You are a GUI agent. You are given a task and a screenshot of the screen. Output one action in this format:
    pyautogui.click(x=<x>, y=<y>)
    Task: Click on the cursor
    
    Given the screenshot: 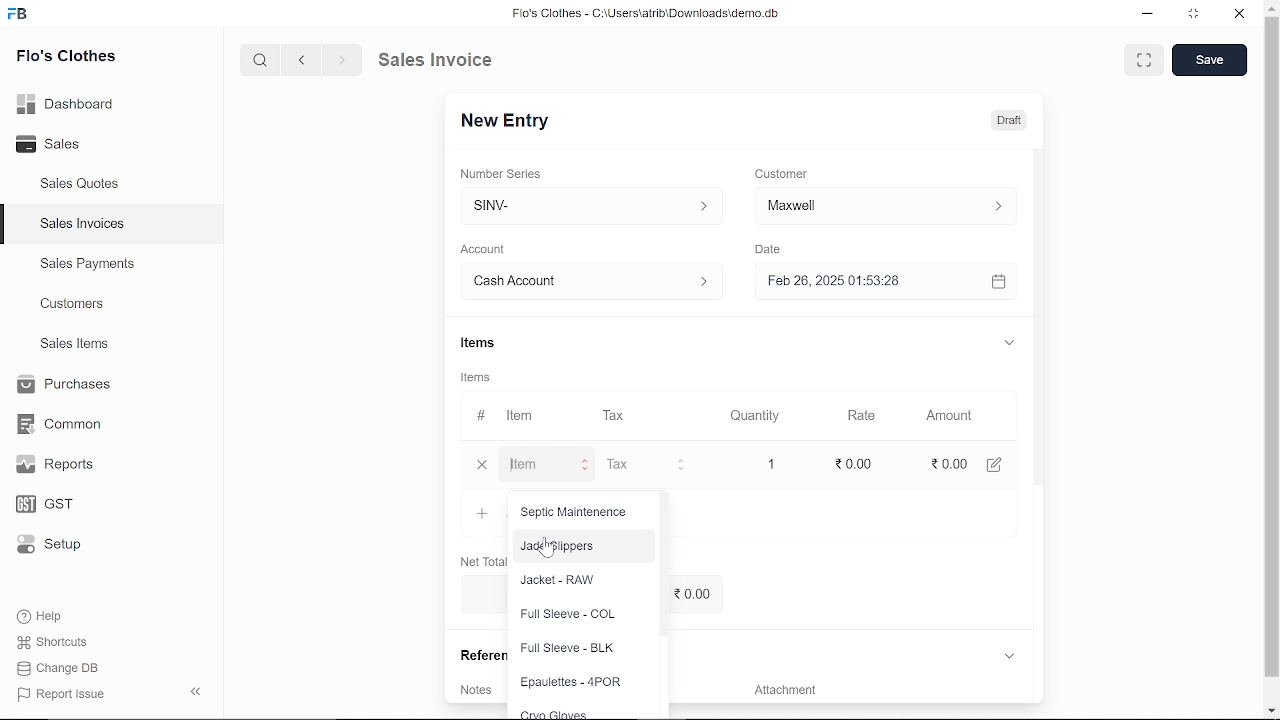 What is the action you would take?
    pyautogui.click(x=549, y=553)
    